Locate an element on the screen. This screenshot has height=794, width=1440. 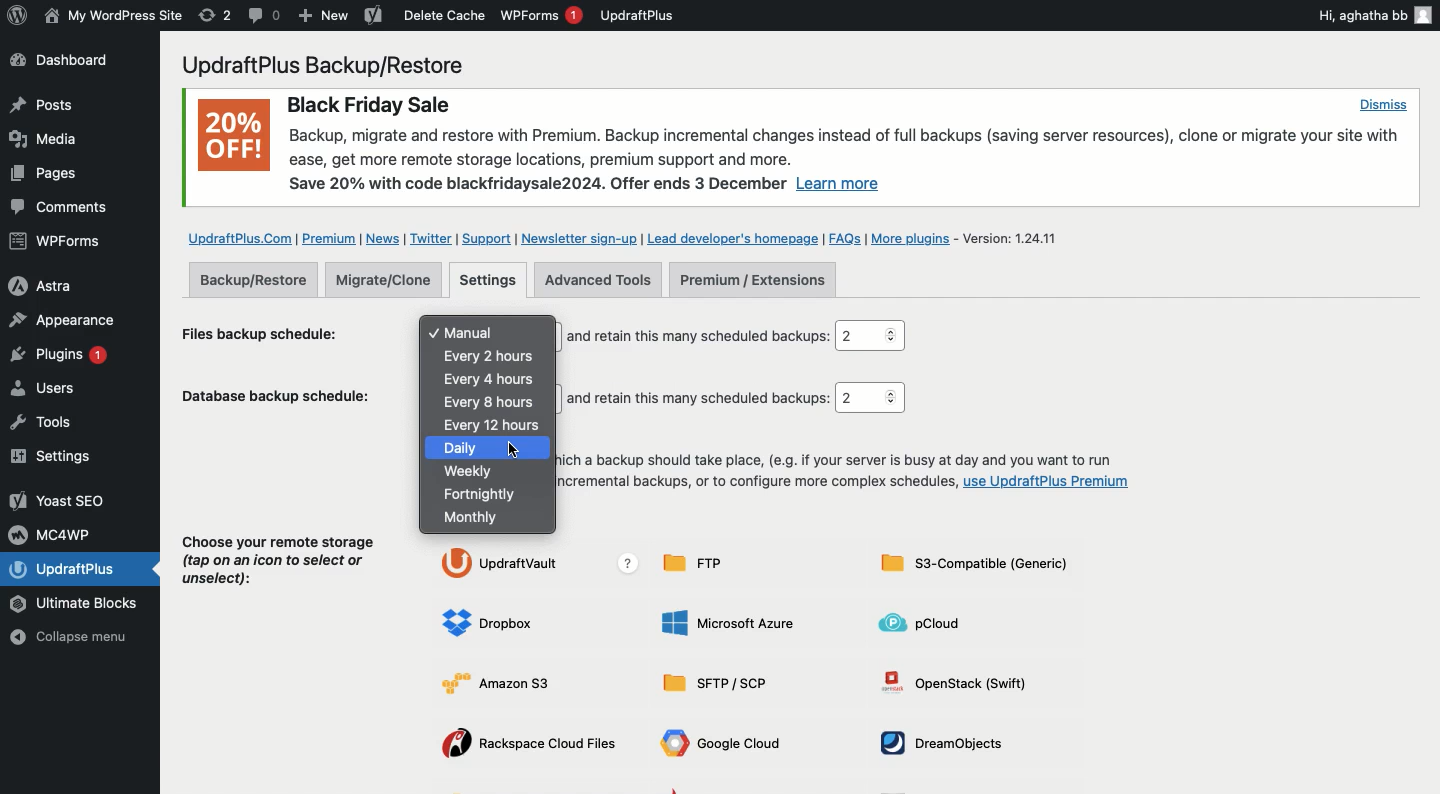
Every 2 hours is located at coordinates (496, 355).